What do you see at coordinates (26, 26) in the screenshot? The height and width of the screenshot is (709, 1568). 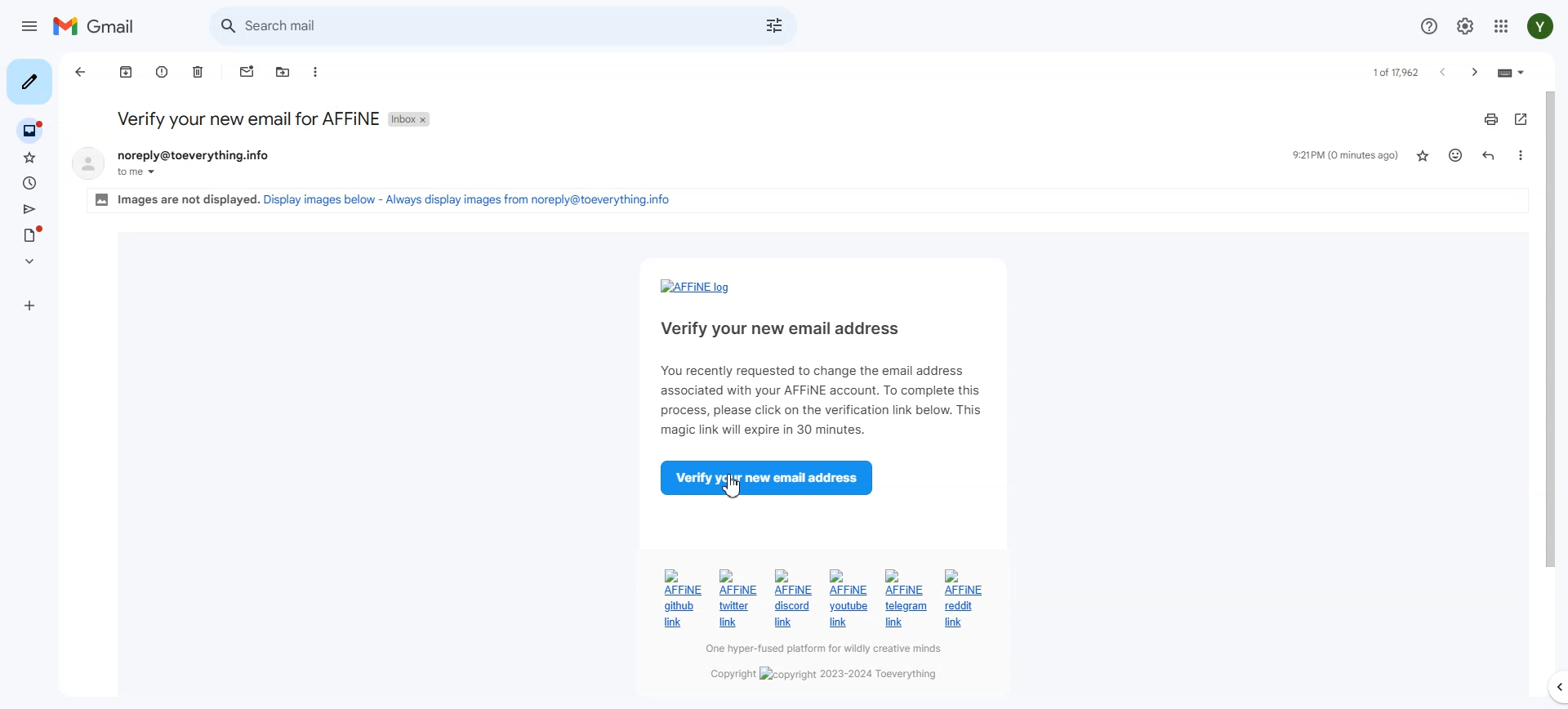 I see `hide main menu` at bounding box center [26, 26].